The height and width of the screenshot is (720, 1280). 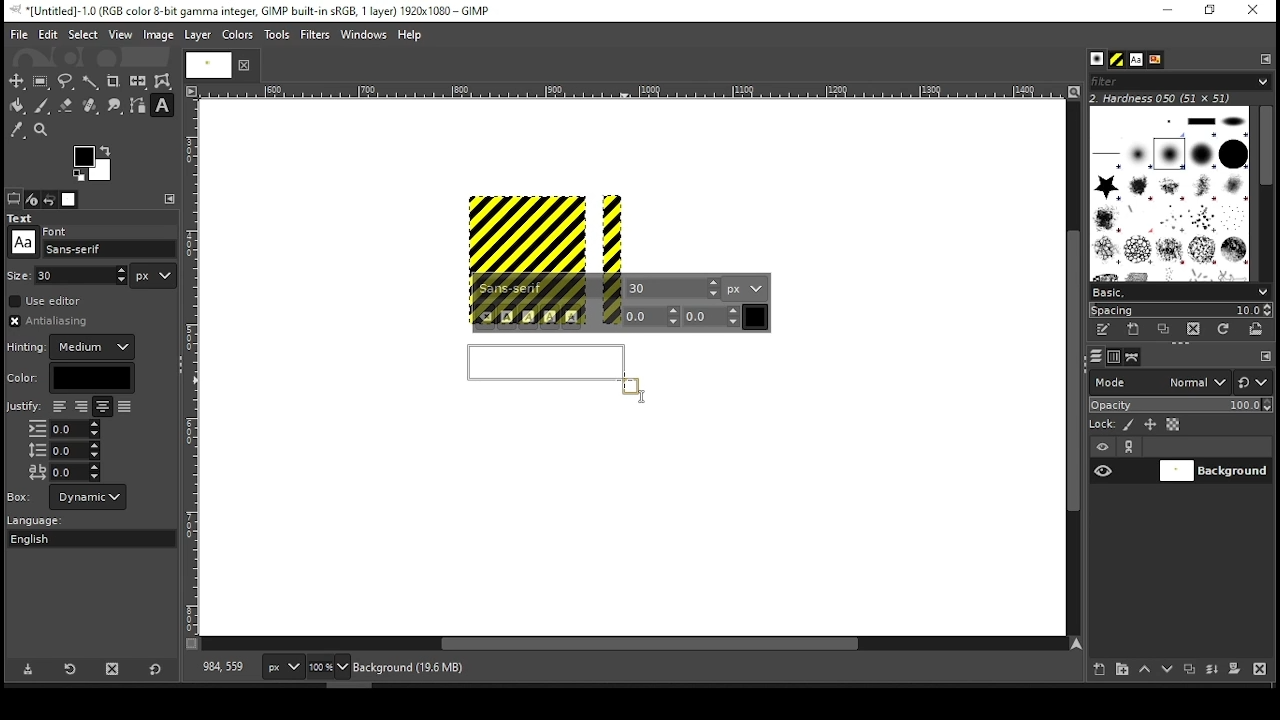 I want to click on , so click(x=629, y=92).